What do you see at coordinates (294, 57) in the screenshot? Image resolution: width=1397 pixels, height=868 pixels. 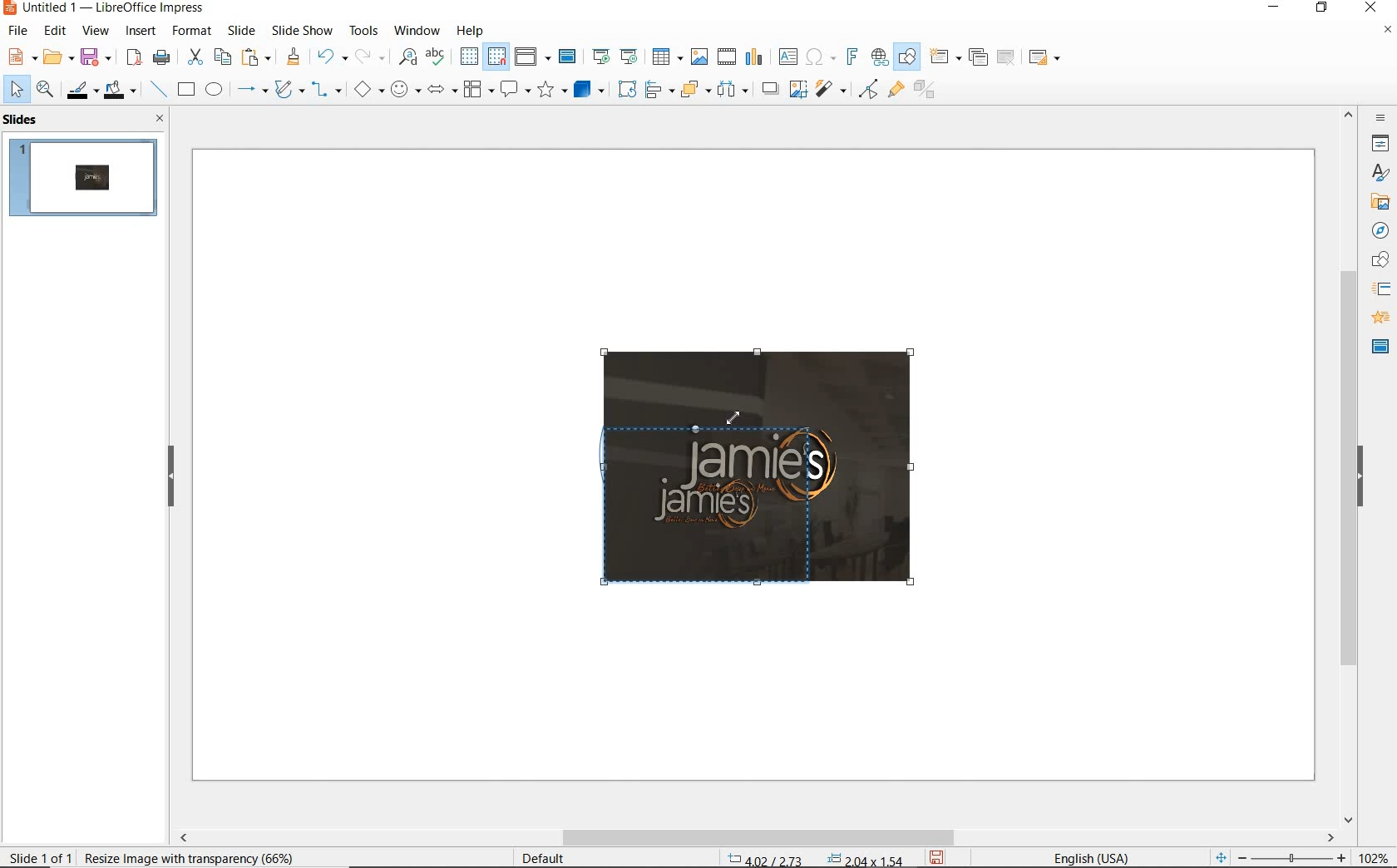 I see `clone formatting` at bounding box center [294, 57].